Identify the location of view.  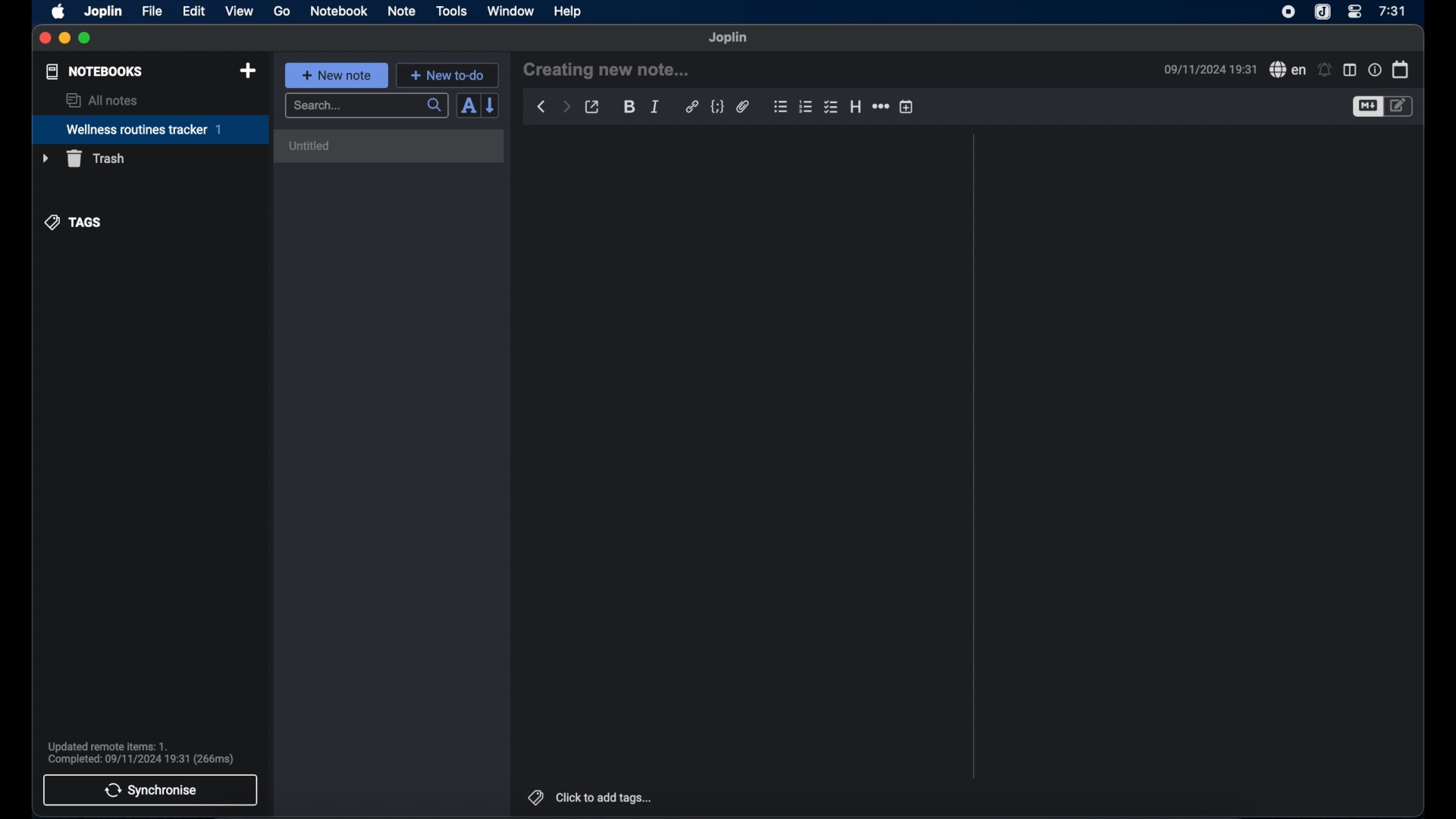
(239, 11).